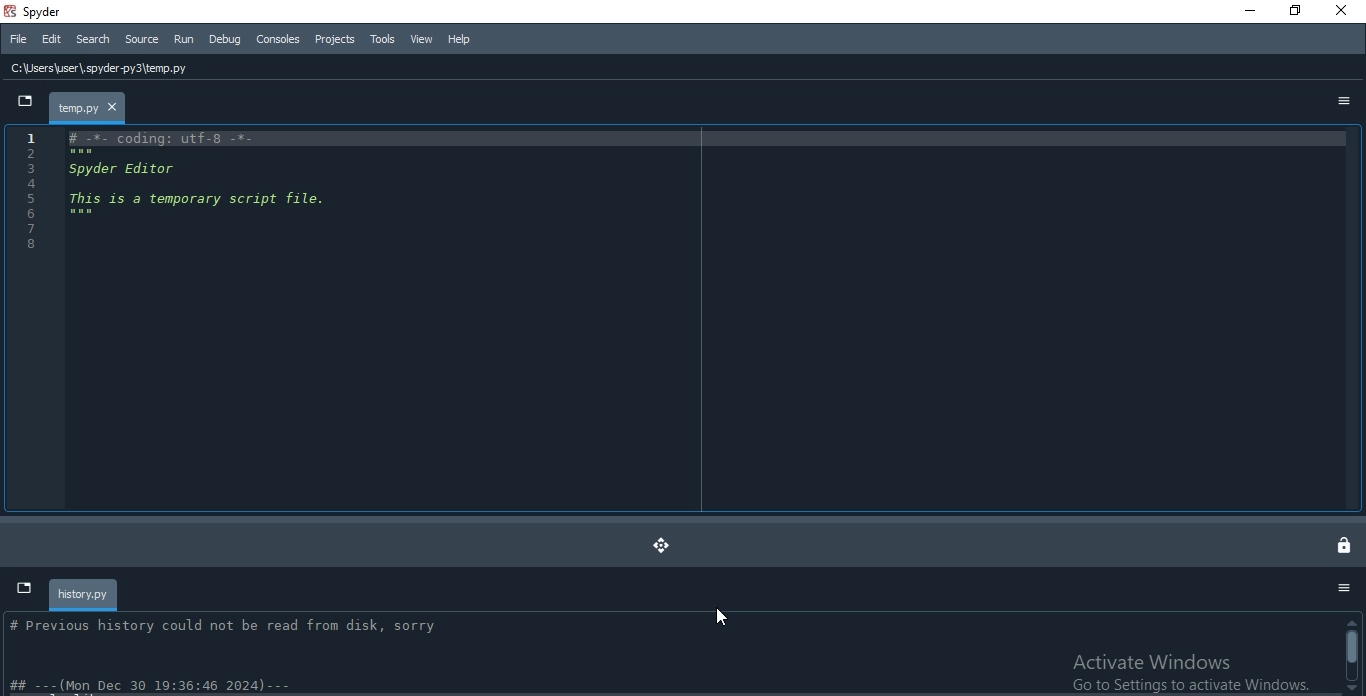  Describe the element at coordinates (1332, 101) in the screenshot. I see `options` at that location.